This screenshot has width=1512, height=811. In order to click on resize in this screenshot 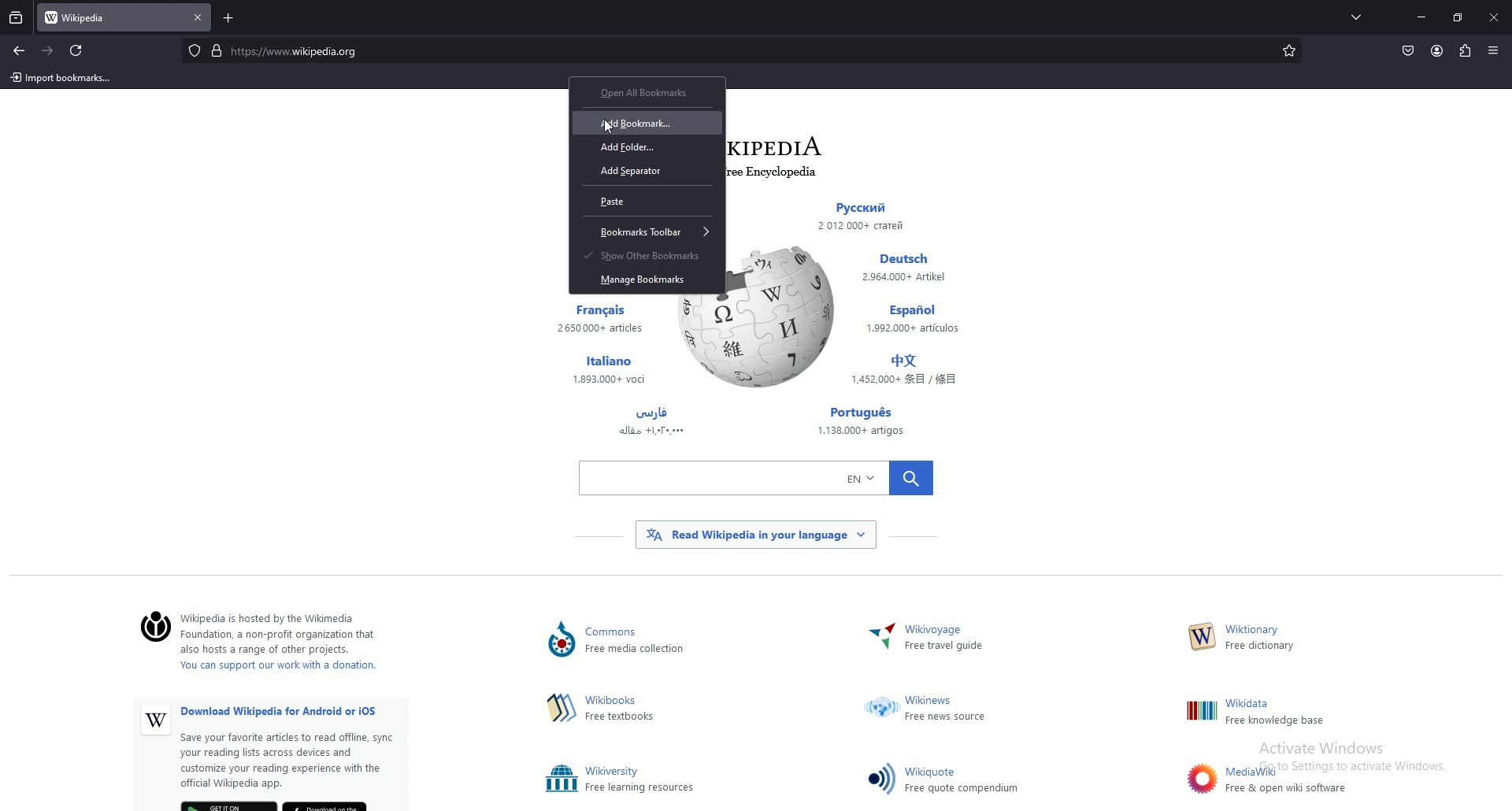, I will do `click(1458, 18)`.